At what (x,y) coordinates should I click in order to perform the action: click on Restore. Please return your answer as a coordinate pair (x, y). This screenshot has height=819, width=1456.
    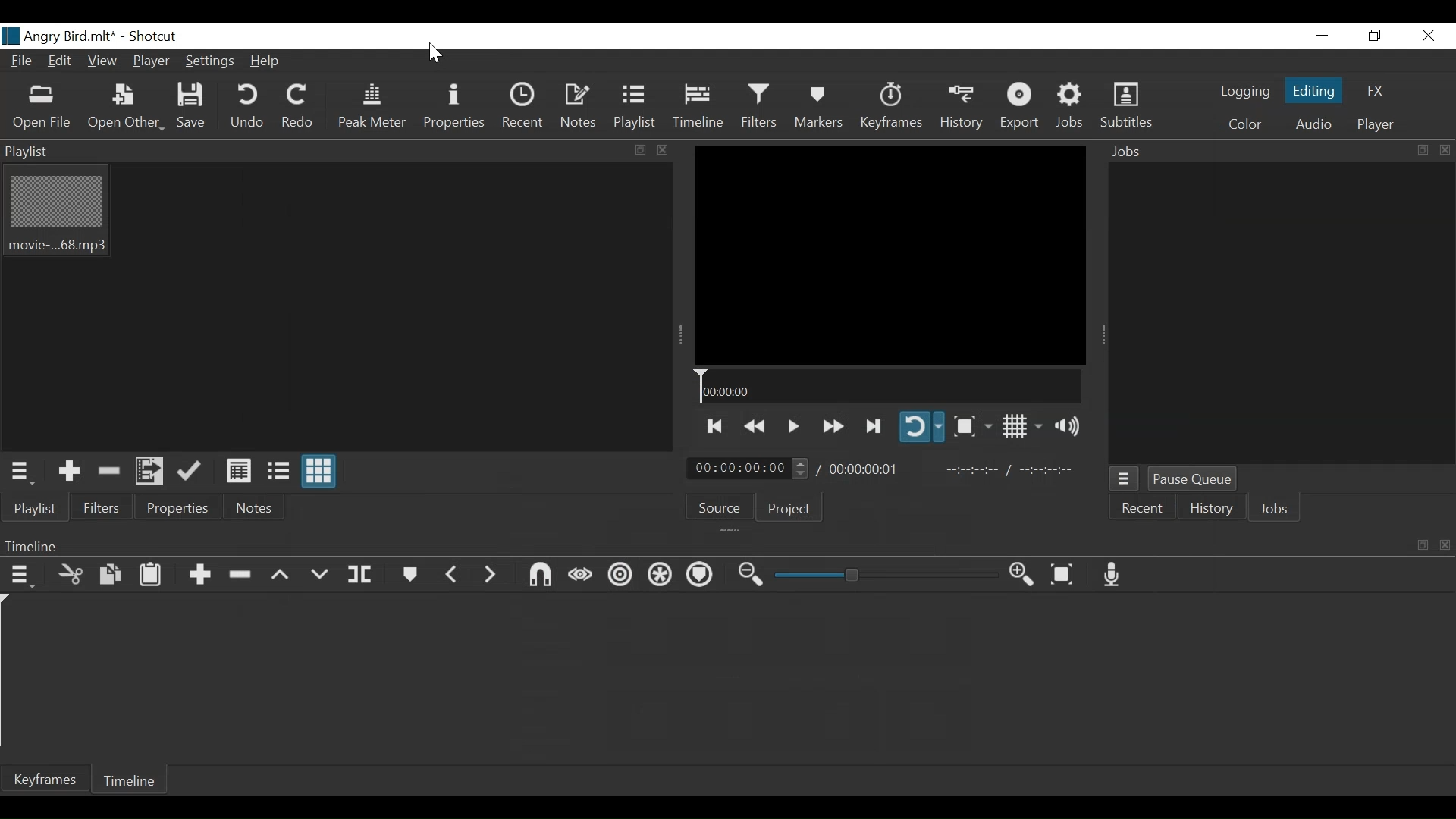
    Looking at the image, I should click on (1375, 36).